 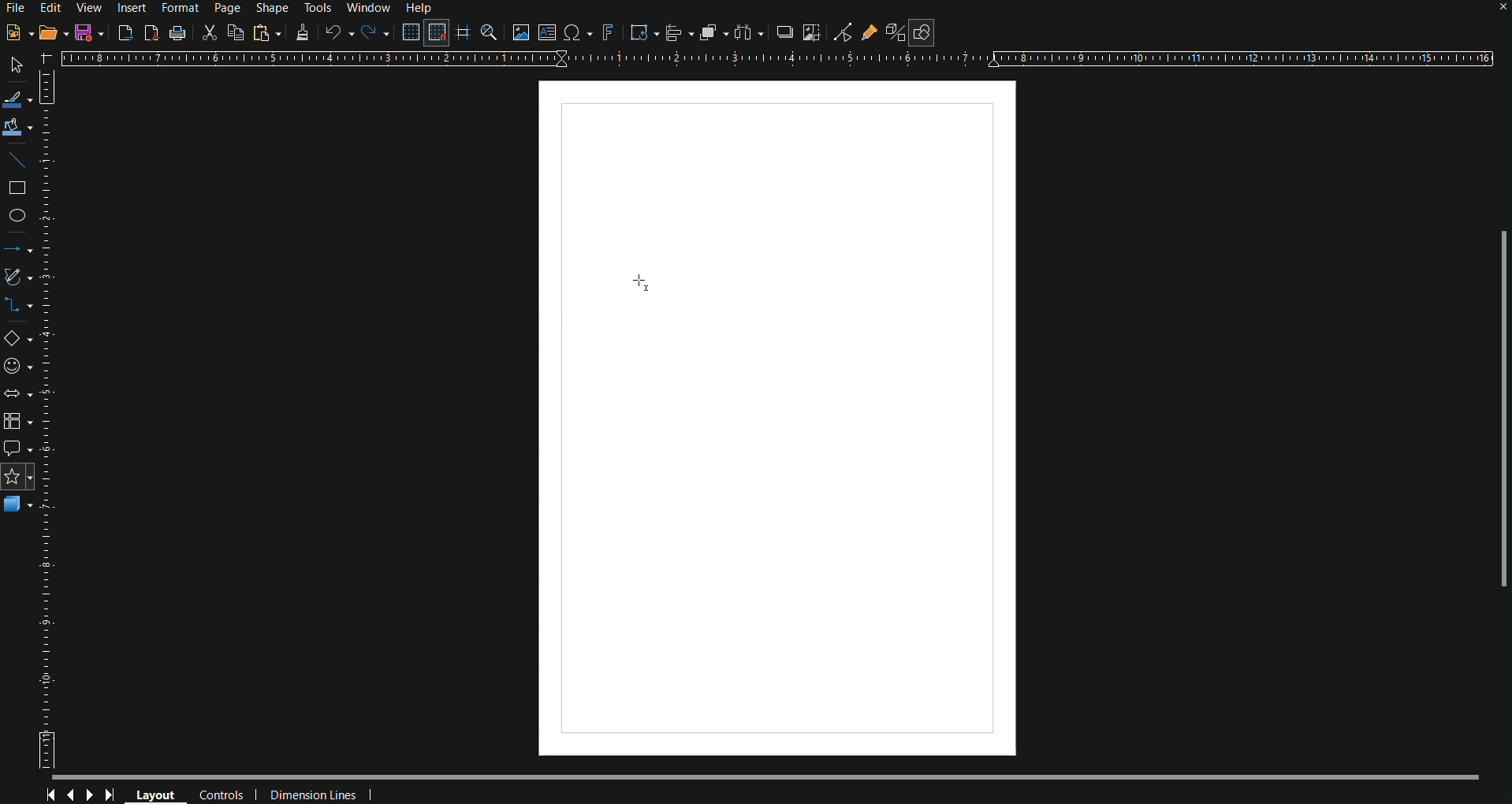 What do you see at coordinates (782, 35) in the screenshot?
I see `Shadow` at bounding box center [782, 35].